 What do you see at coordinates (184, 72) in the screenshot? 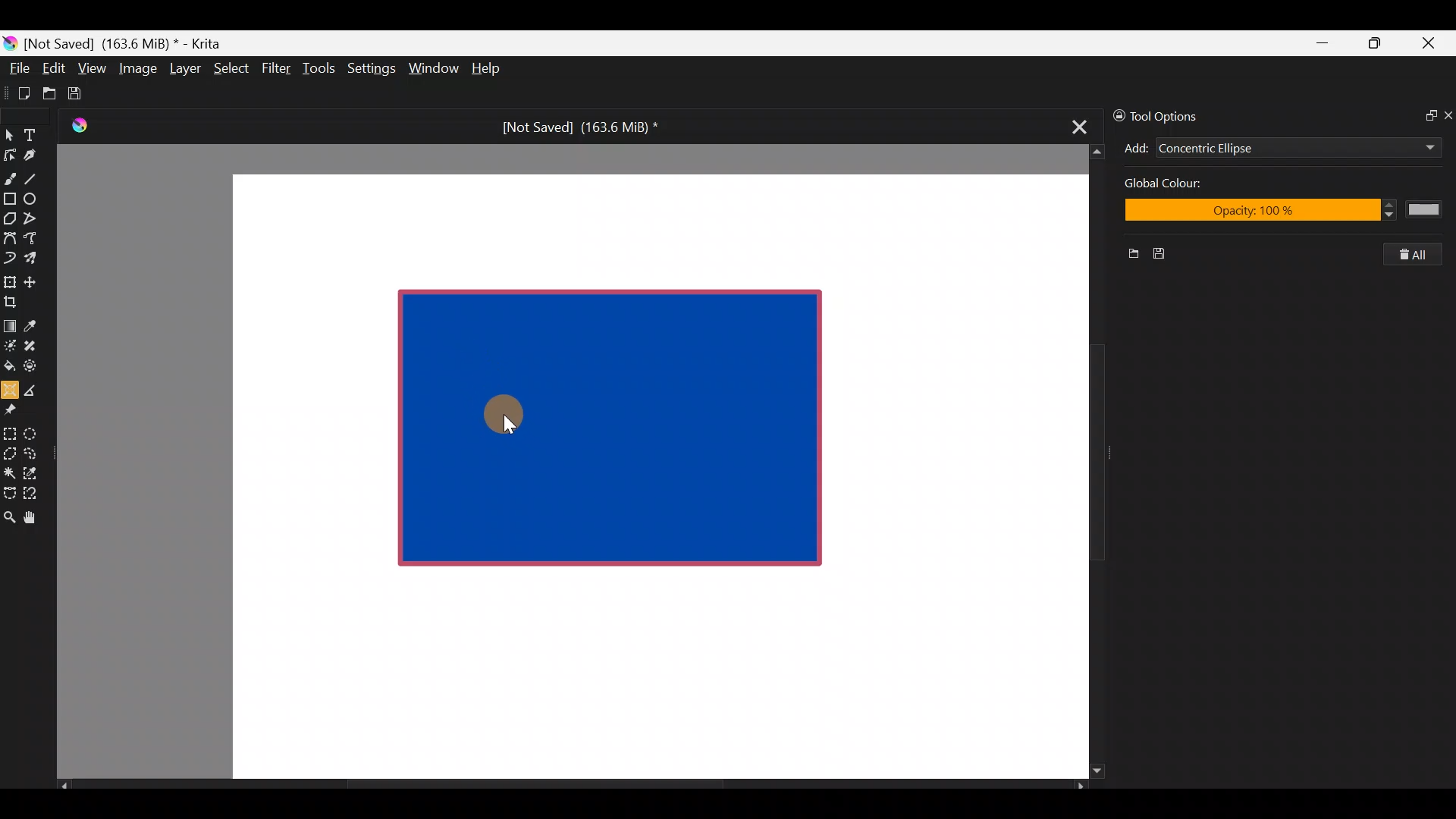
I see `Layer` at bounding box center [184, 72].